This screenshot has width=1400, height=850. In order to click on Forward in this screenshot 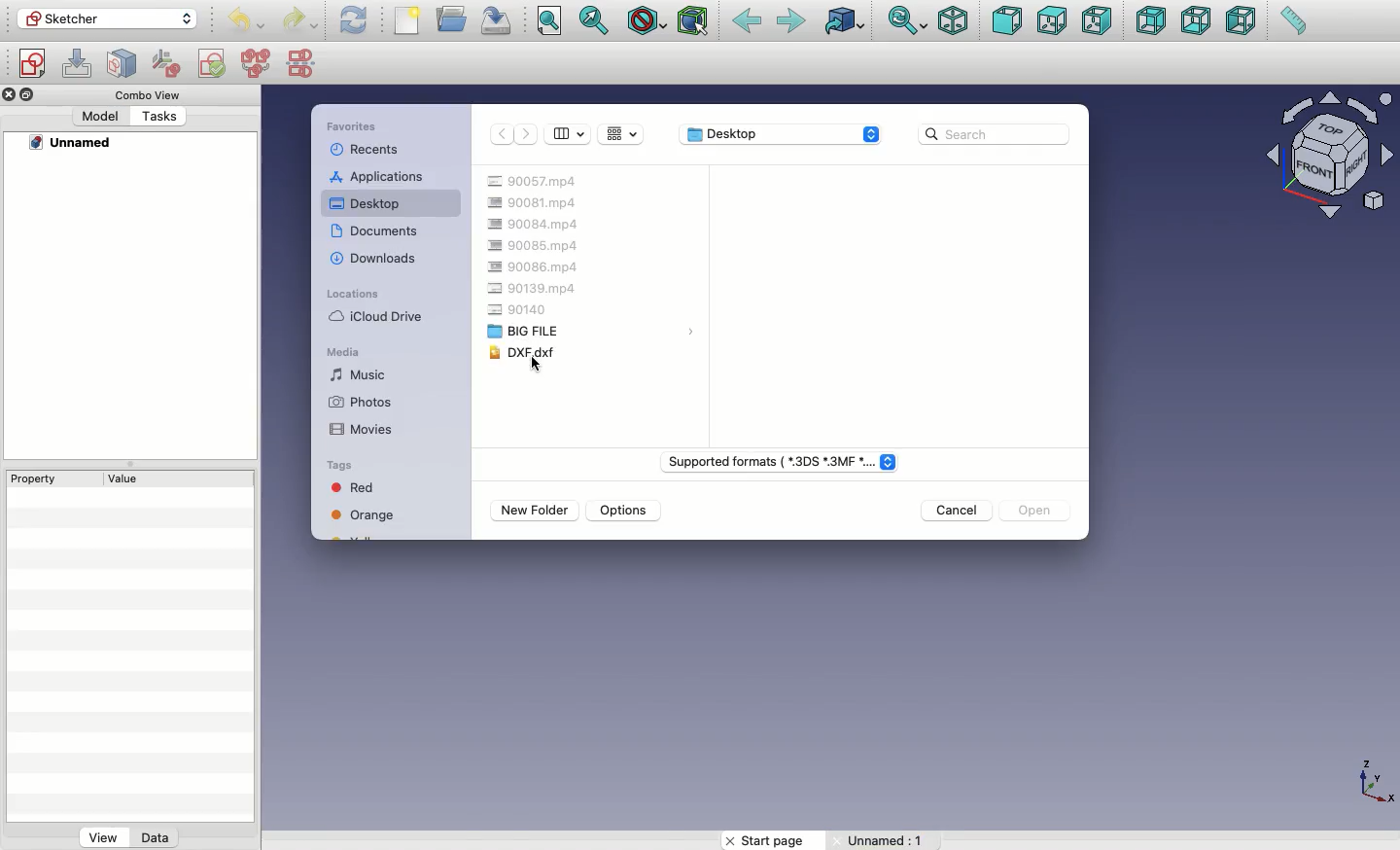, I will do `click(791, 23)`.